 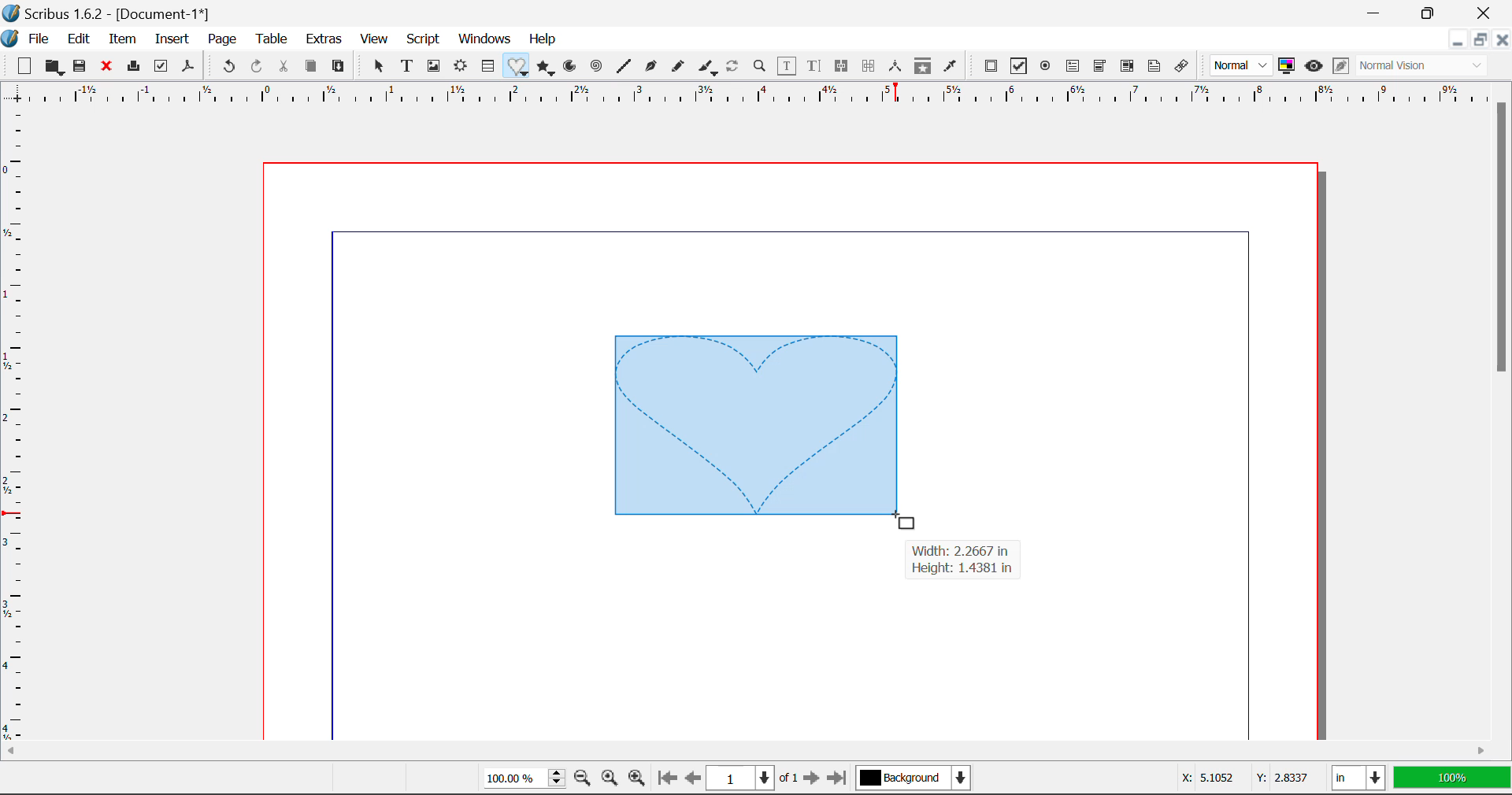 What do you see at coordinates (547, 68) in the screenshot?
I see `Polygons` at bounding box center [547, 68].